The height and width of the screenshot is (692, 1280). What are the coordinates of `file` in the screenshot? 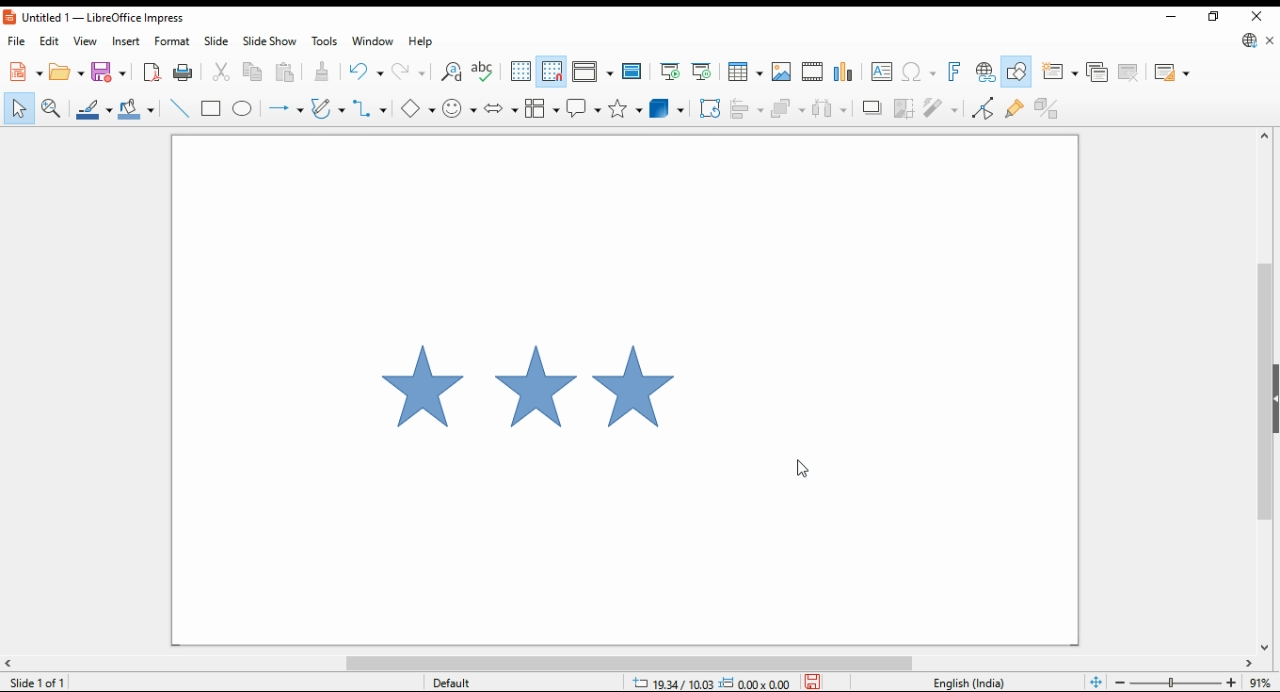 It's located at (17, 40).